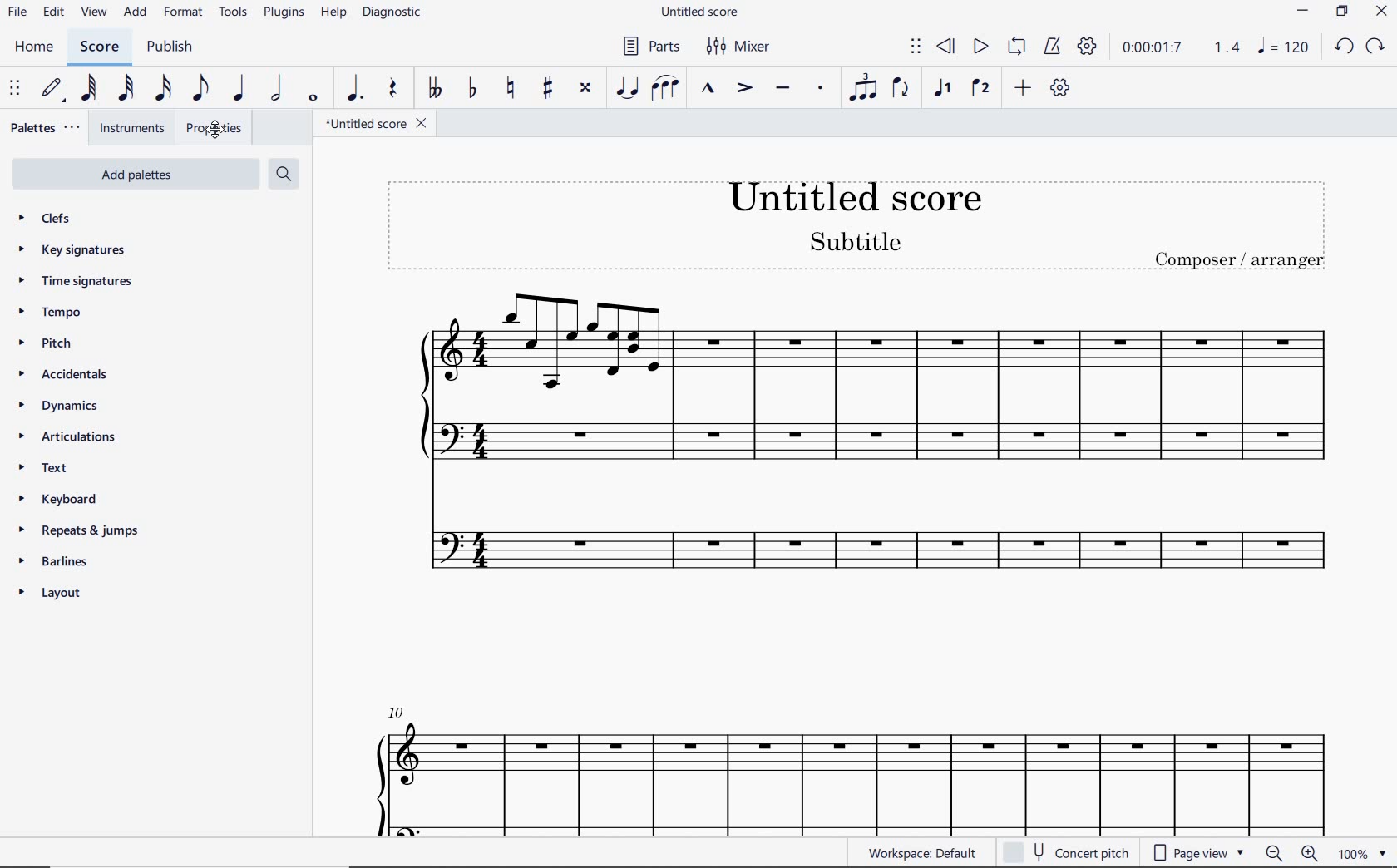  Describe the element at coordinates (1068, 852) in the screenshot. I see `CONCERT PITCH` at that location.